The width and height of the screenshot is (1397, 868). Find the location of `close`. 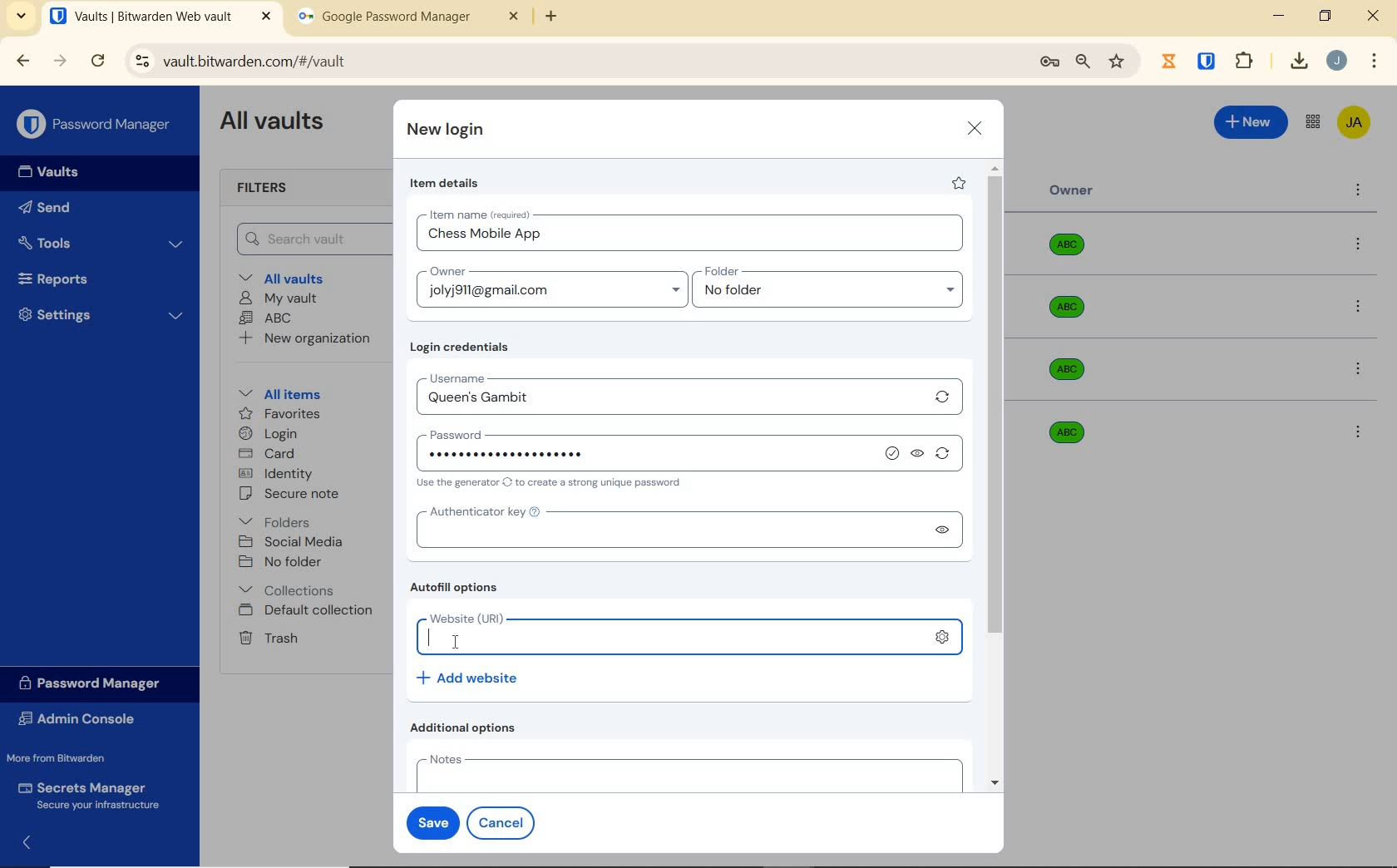

close is located at coordinates (975, 128).